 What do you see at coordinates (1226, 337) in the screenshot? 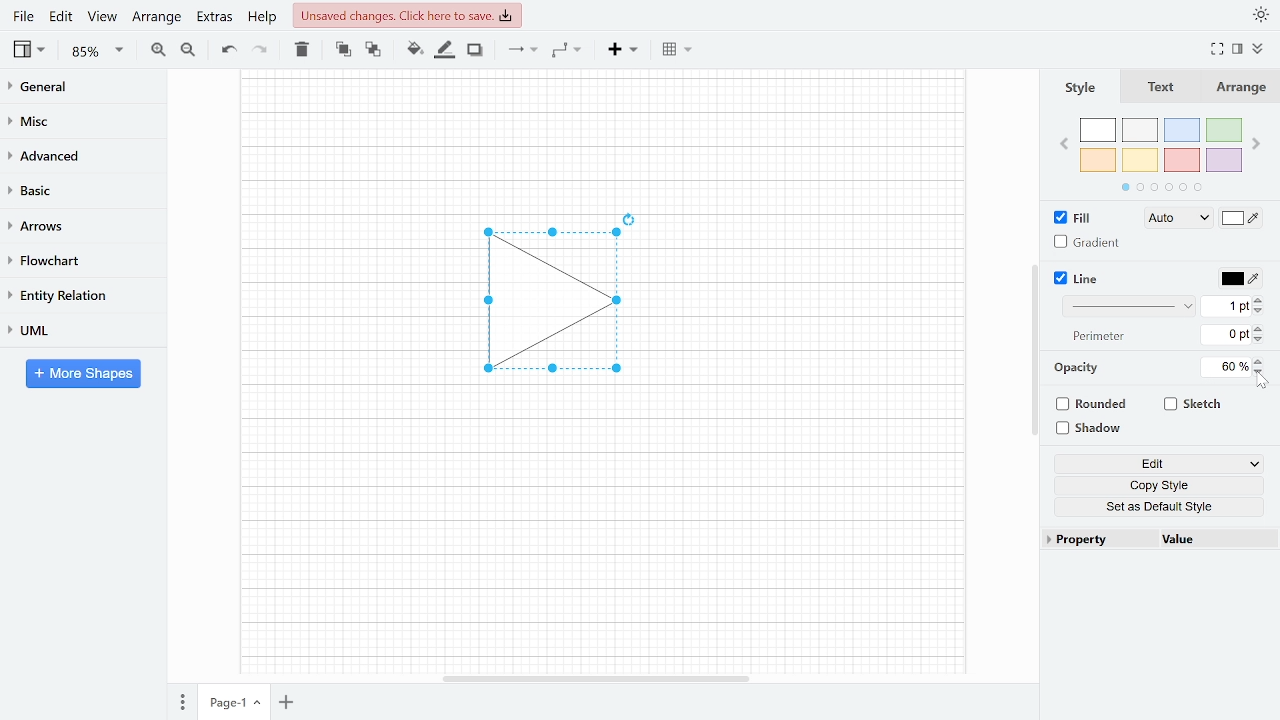
I see `Current perimeter` at bounding box center [1226, 337].